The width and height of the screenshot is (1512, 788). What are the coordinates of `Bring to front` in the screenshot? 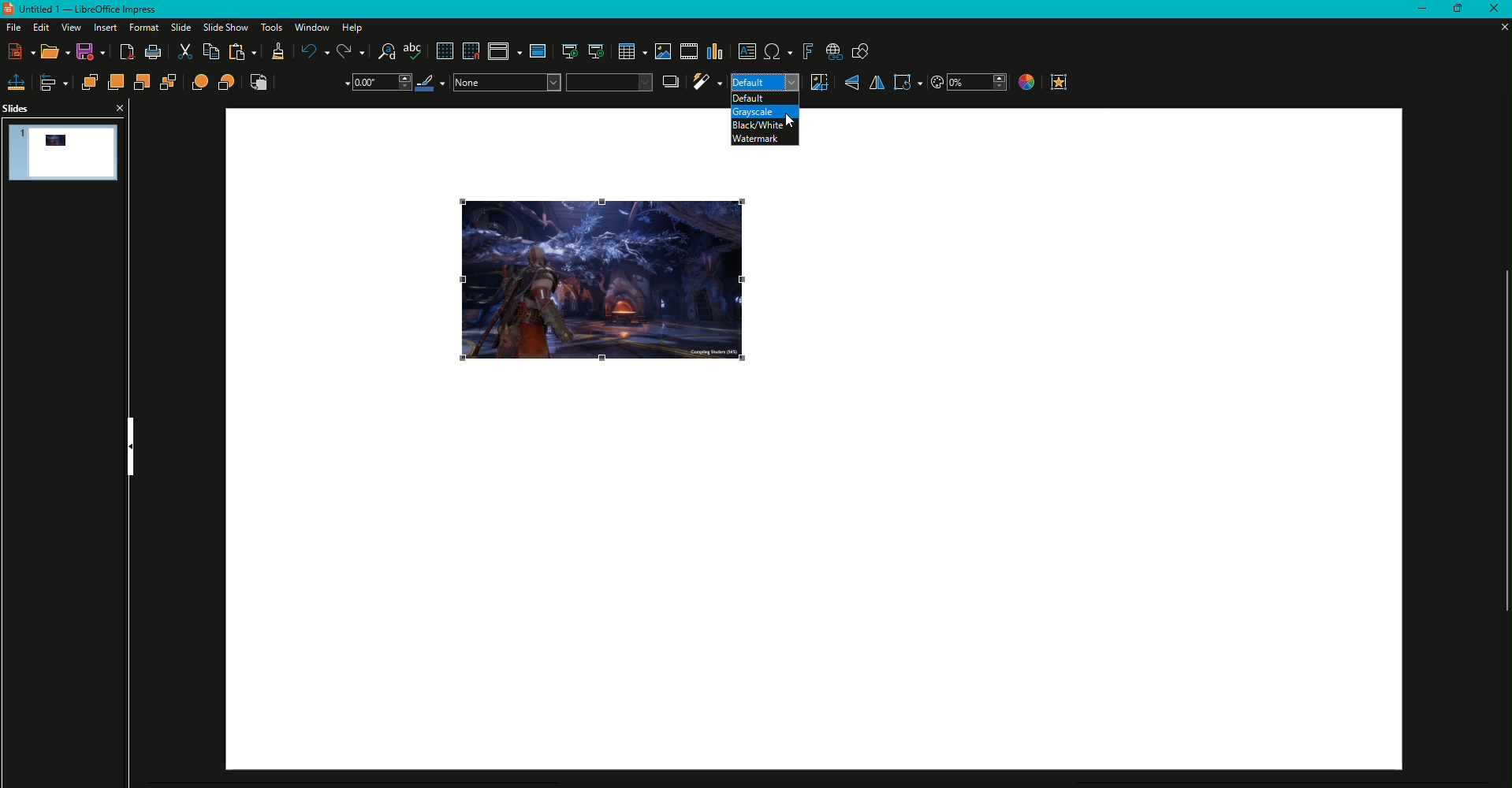 It's located at (89, 82).